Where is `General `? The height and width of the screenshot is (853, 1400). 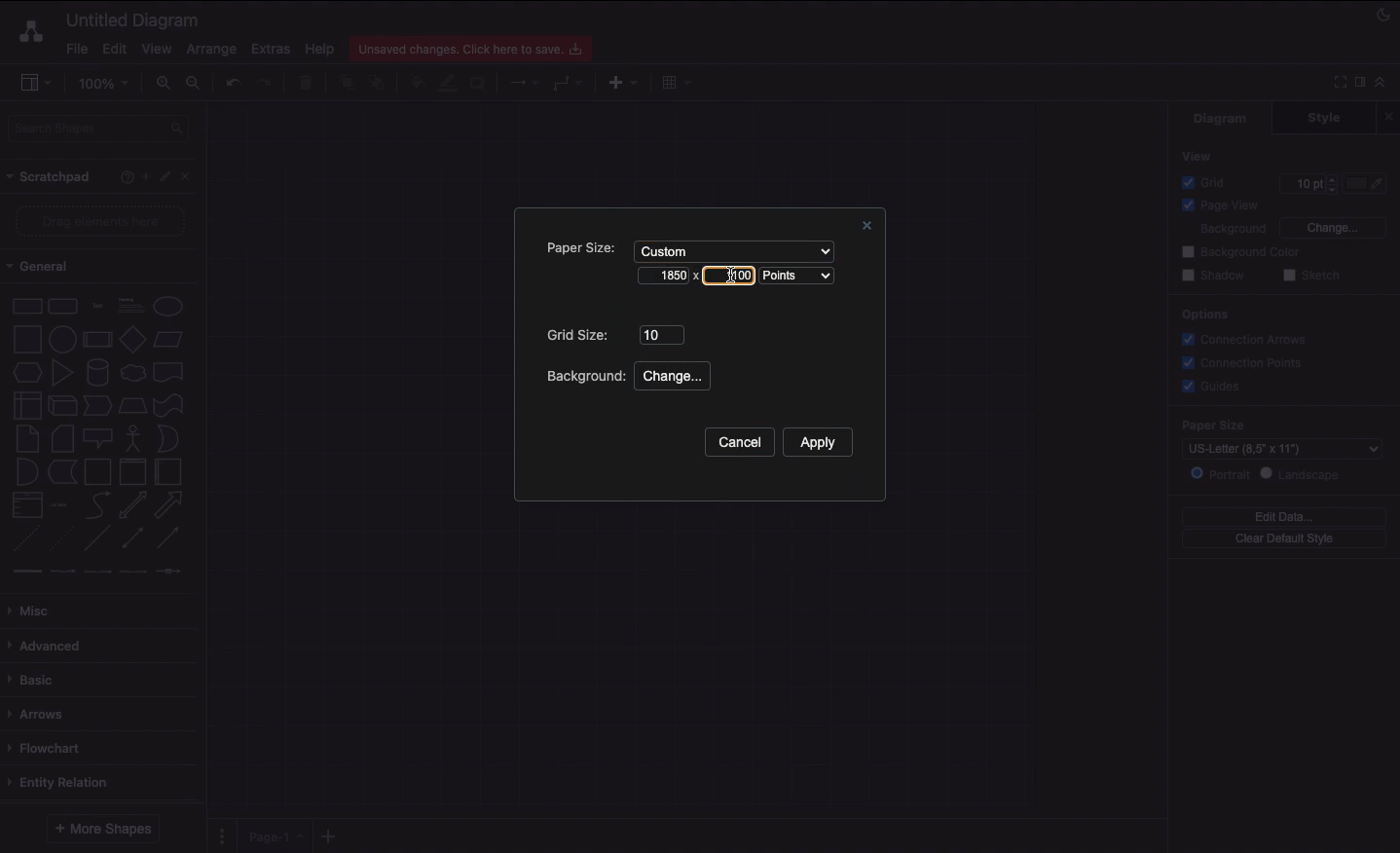
General  is located at coordinates (49, 267).